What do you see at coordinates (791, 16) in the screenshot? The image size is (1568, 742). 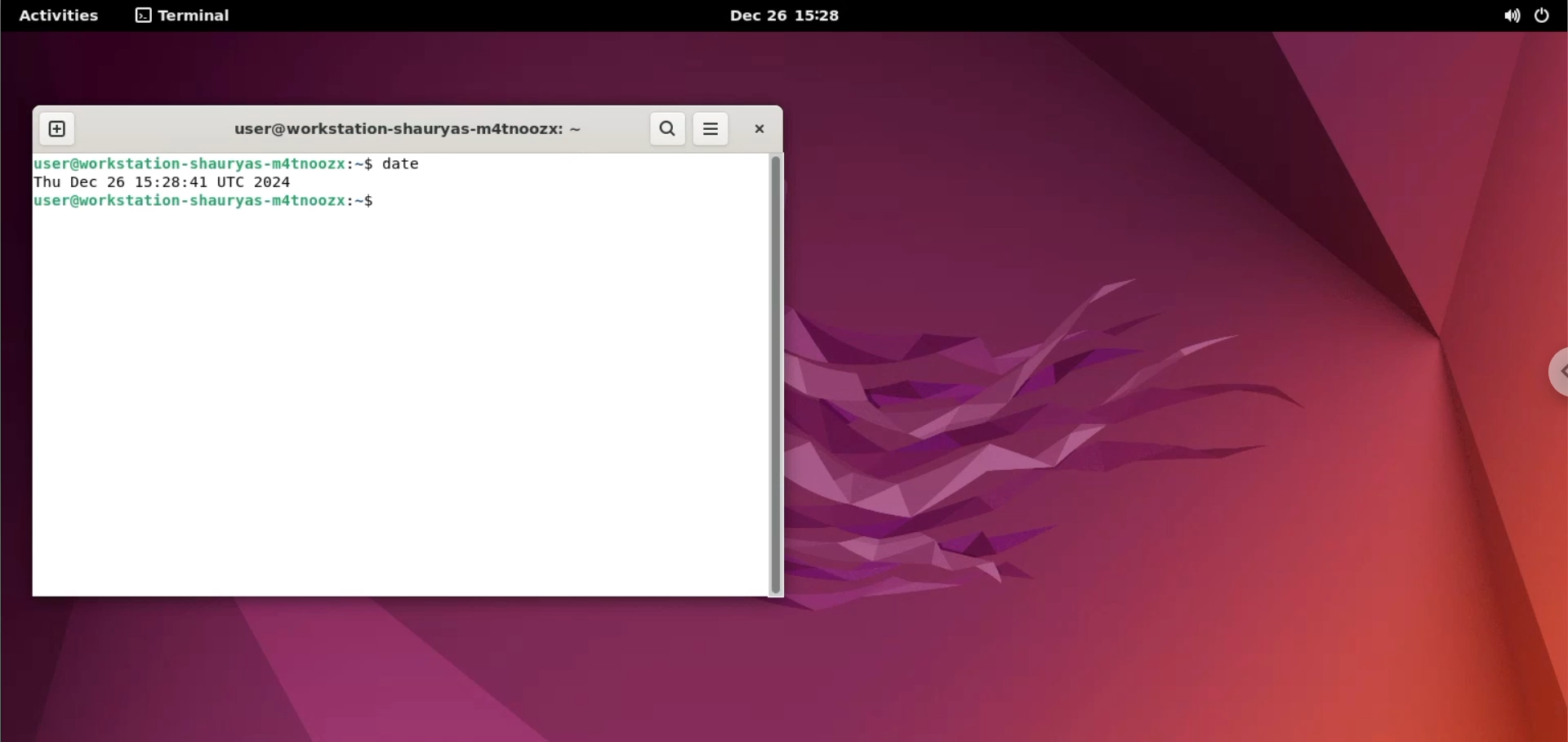 I see `Dec 26 15:28` at bounding box center [791, 16].